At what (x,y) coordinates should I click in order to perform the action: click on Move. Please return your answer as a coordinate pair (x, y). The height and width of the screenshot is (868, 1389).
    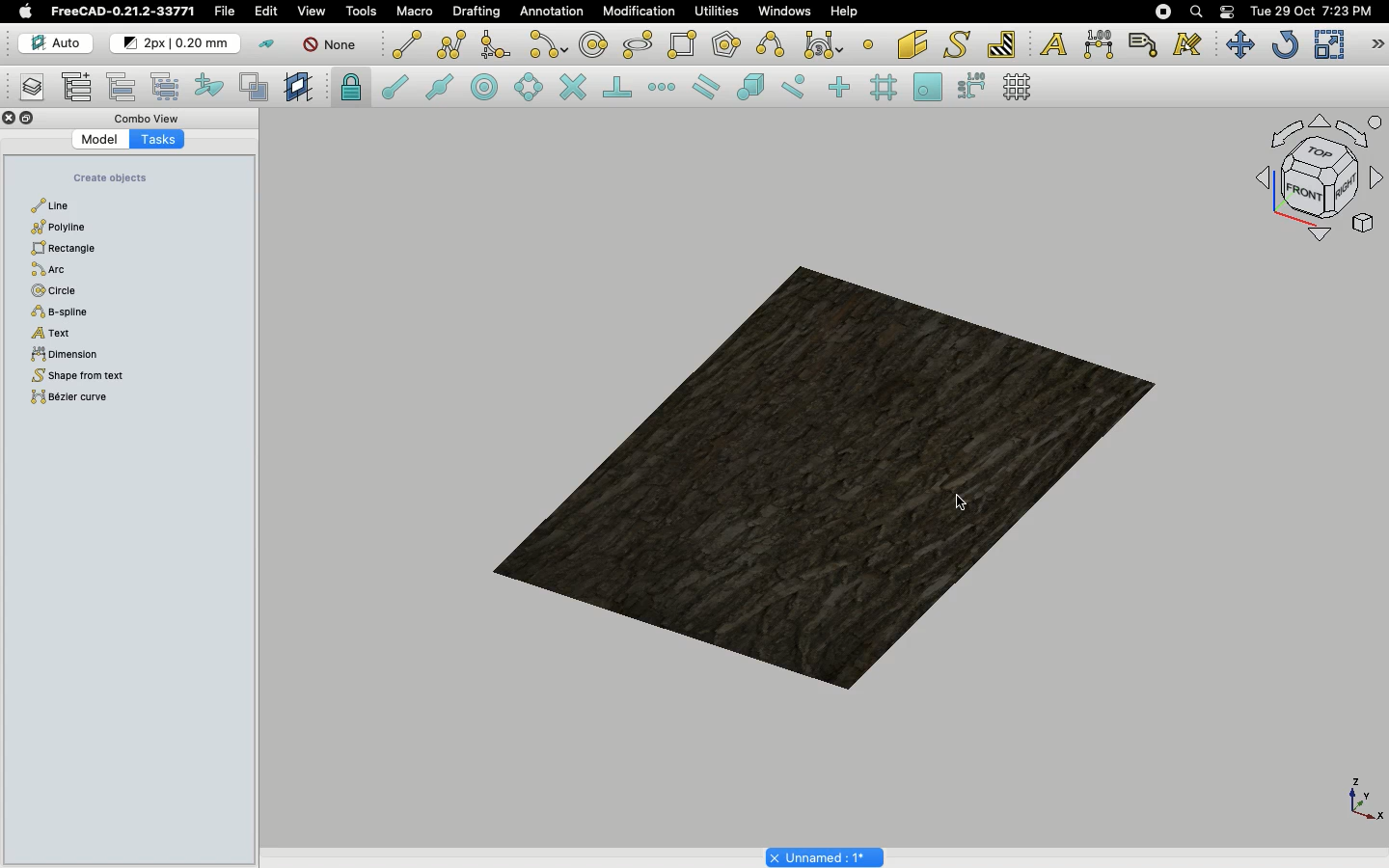
    Looking at the image, I should click on (1239, 45).